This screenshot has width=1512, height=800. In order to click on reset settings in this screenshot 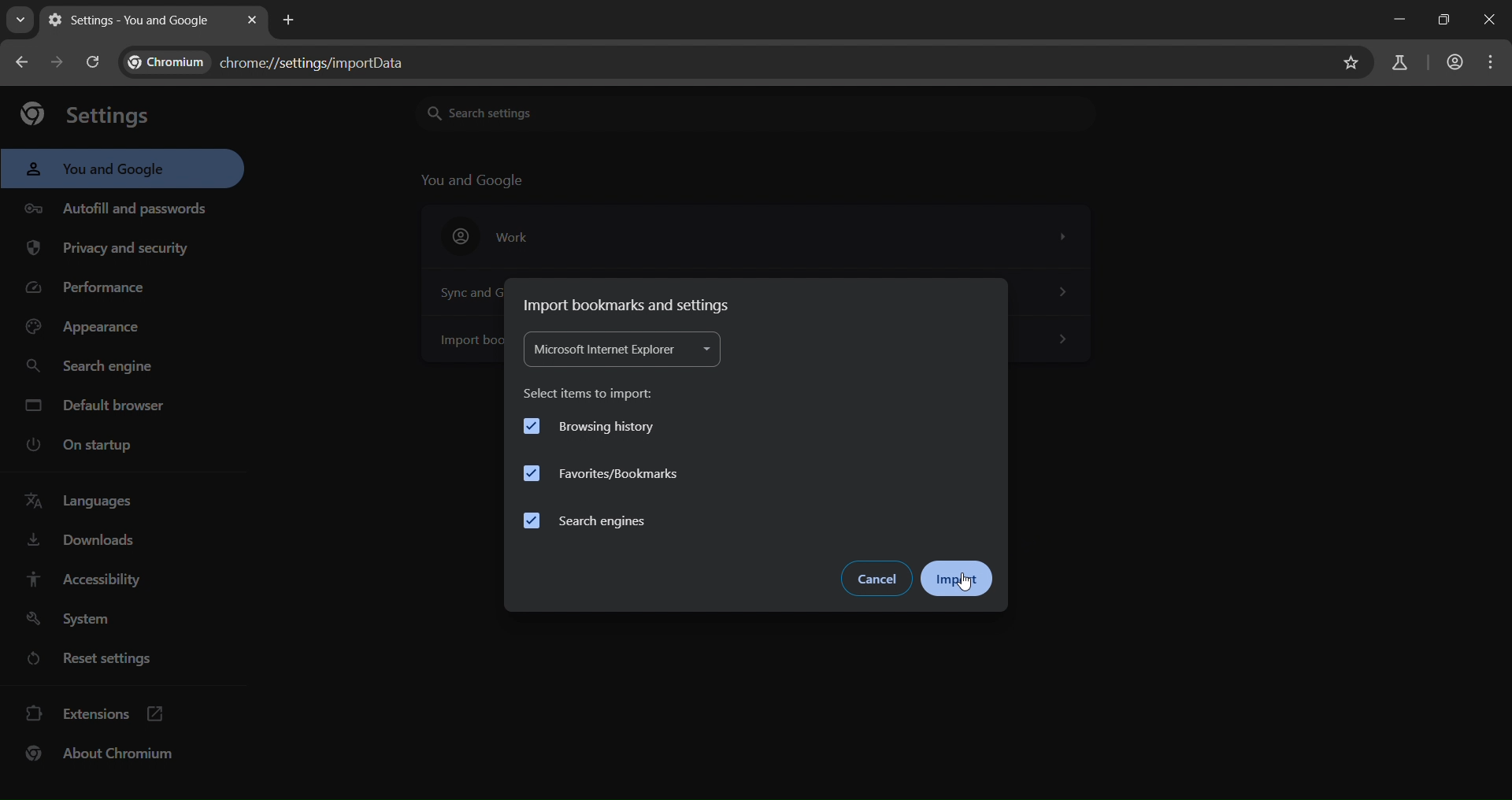, I will do `click(120, 659)`.